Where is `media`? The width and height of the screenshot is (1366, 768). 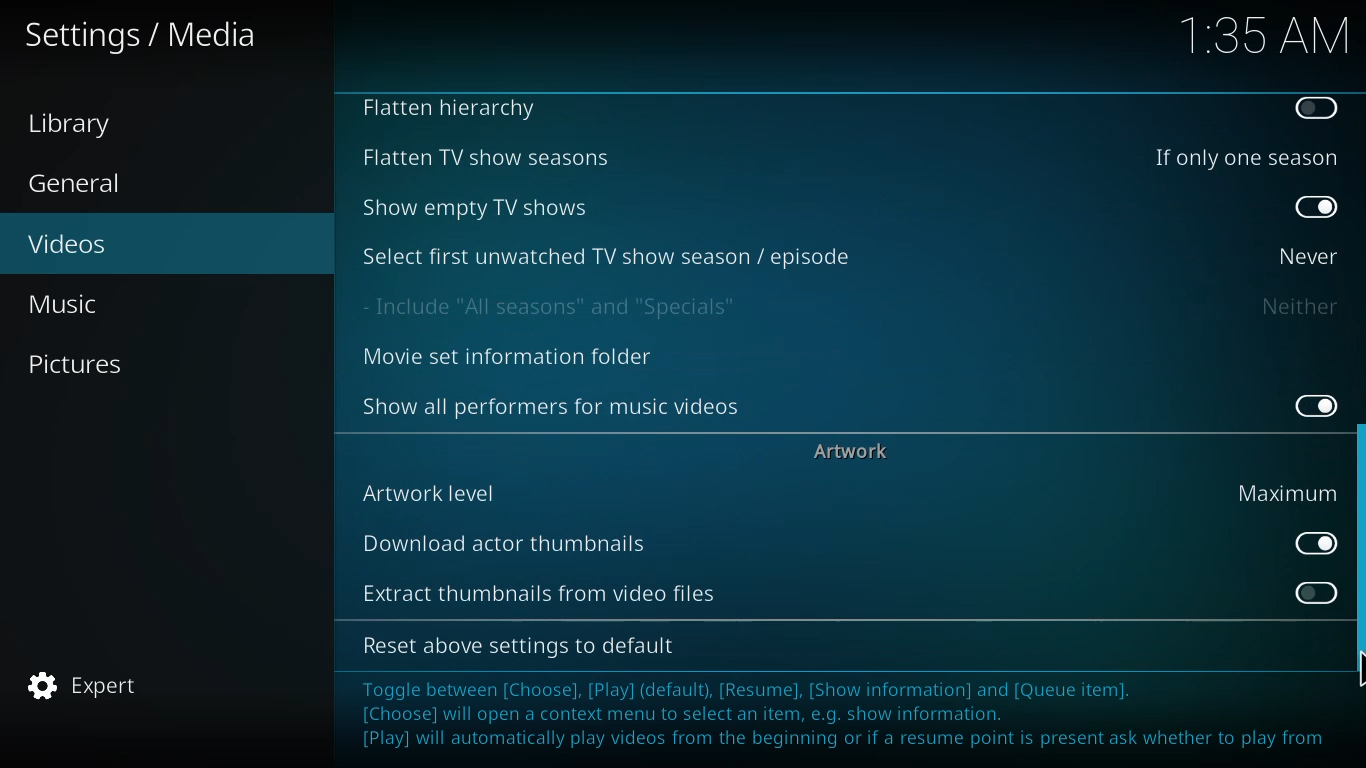 media is located at coordinates (143, 37).